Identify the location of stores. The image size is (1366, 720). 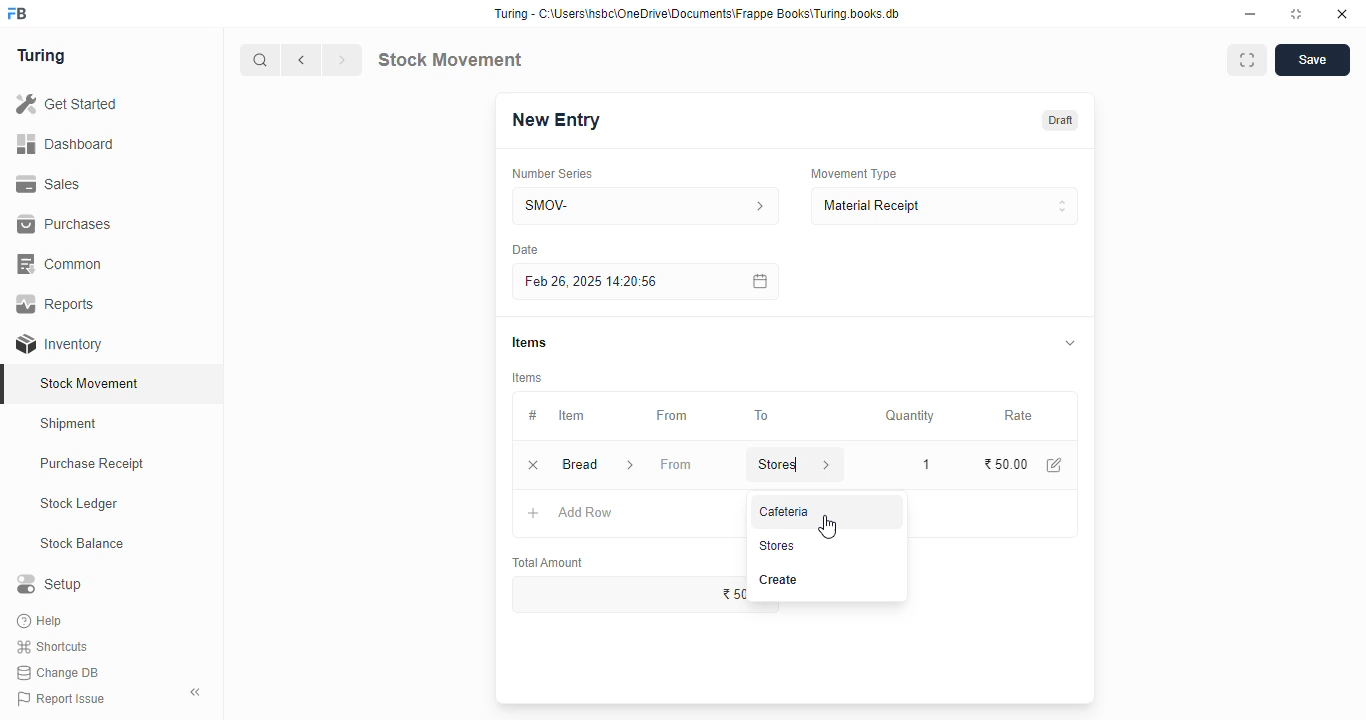
(777, 546).